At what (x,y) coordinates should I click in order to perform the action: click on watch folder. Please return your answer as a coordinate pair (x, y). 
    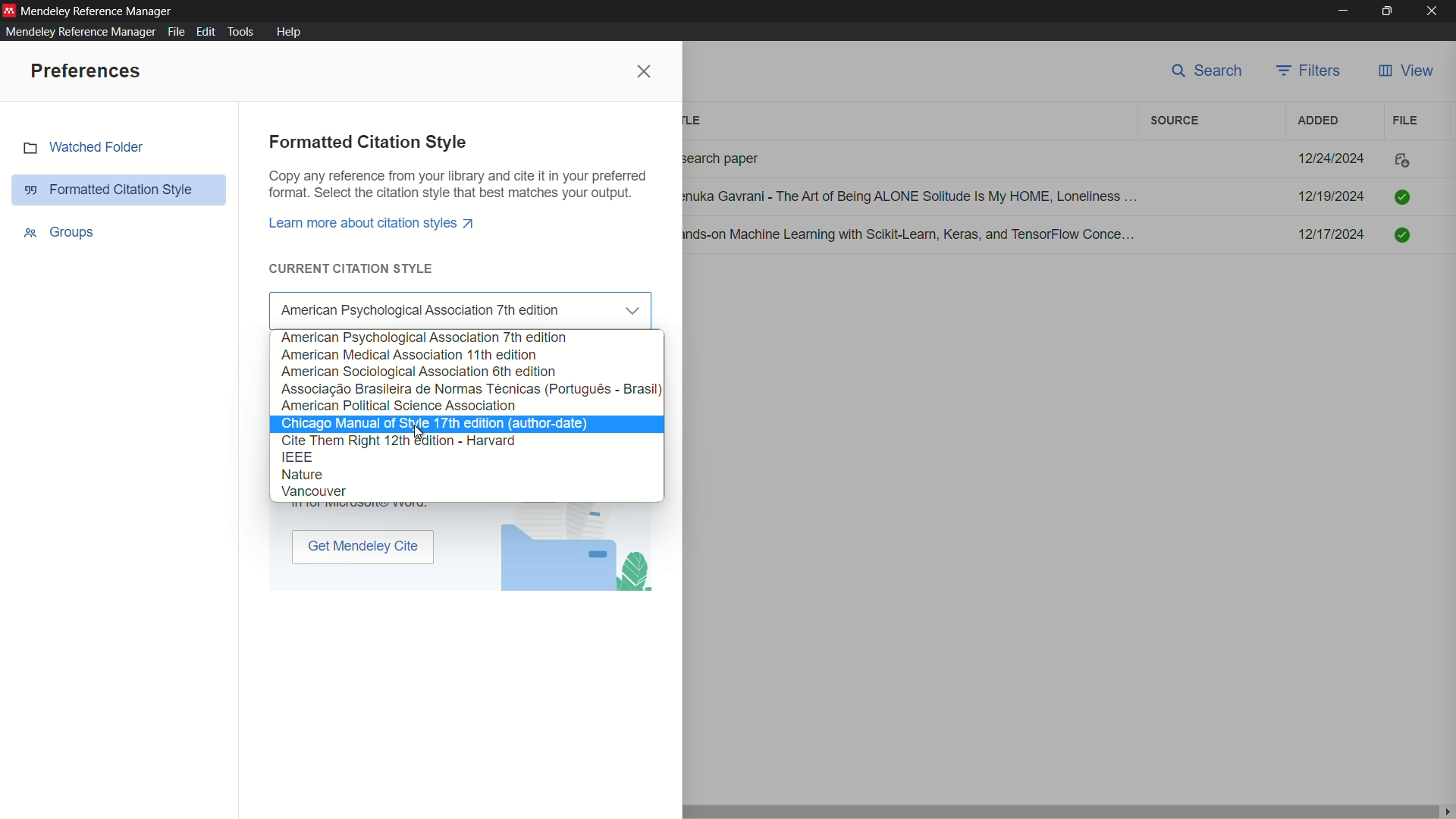
    Looking at the image, I should click on (121, 148).